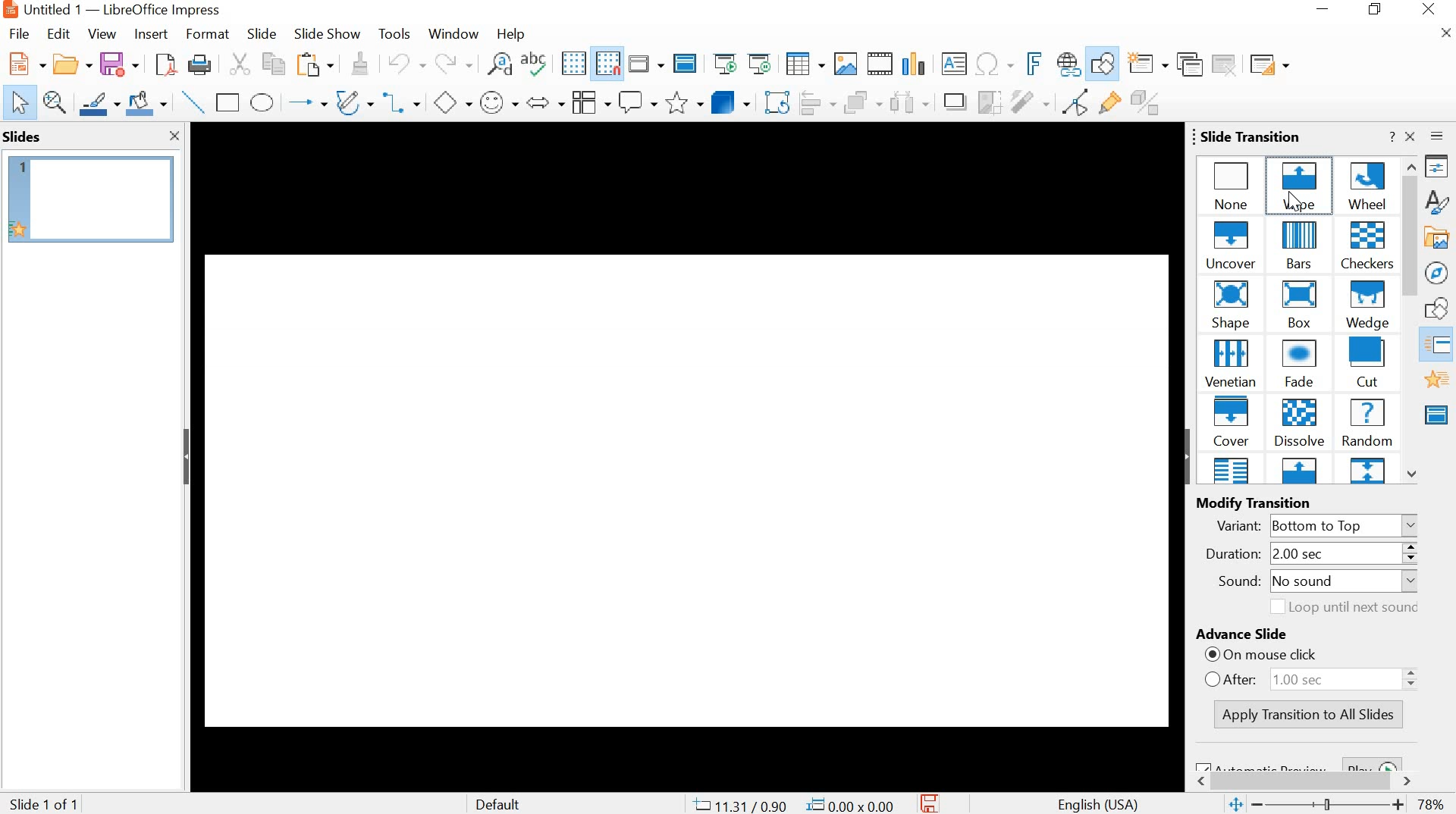 This screenshot has width=1456, height=814. What do you see at coordinates (1103, 65) in the screenshot?
I see `Show draw functions` at bounding box center [1103, 65].